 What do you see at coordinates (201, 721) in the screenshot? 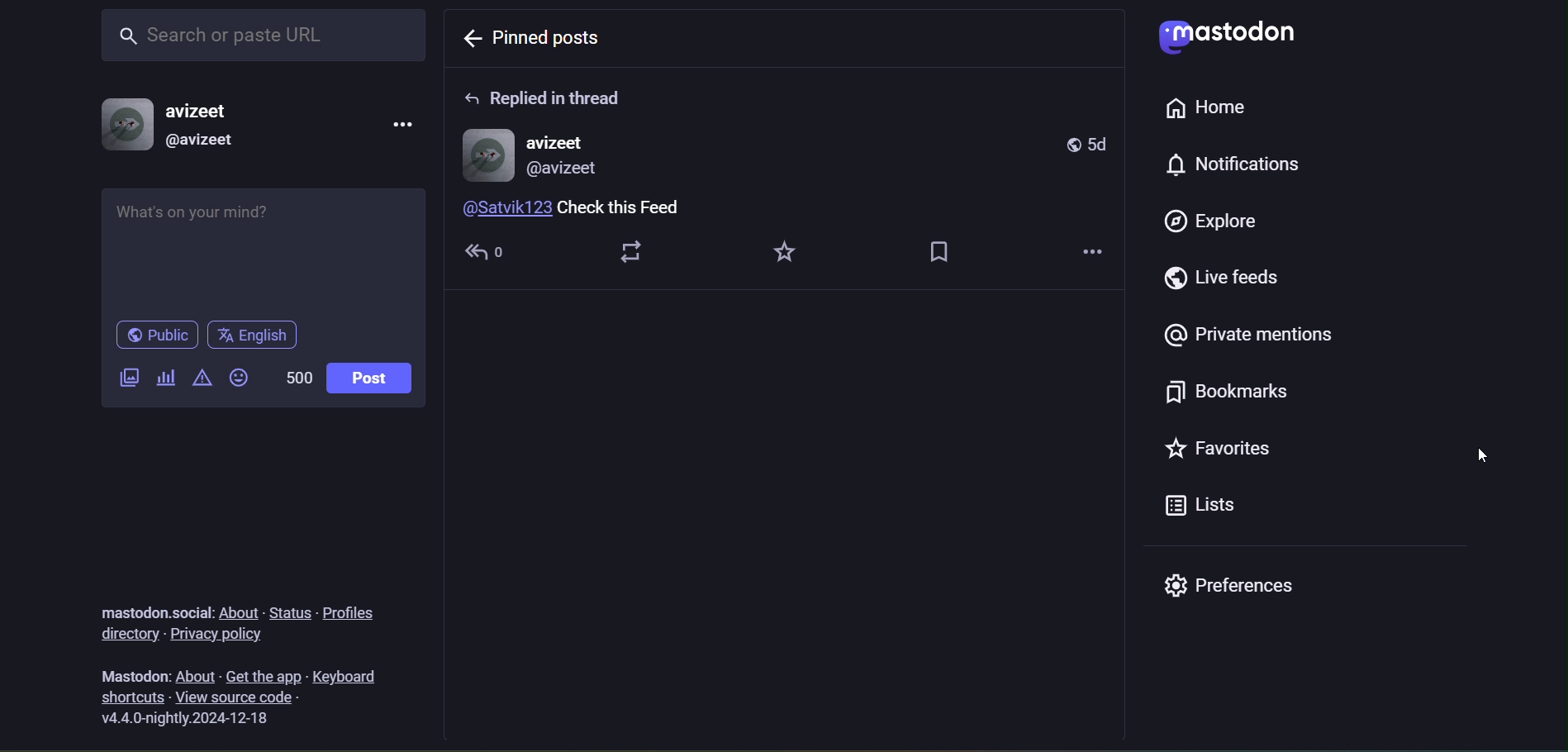
I see `version` at bounding box center [201, 721].